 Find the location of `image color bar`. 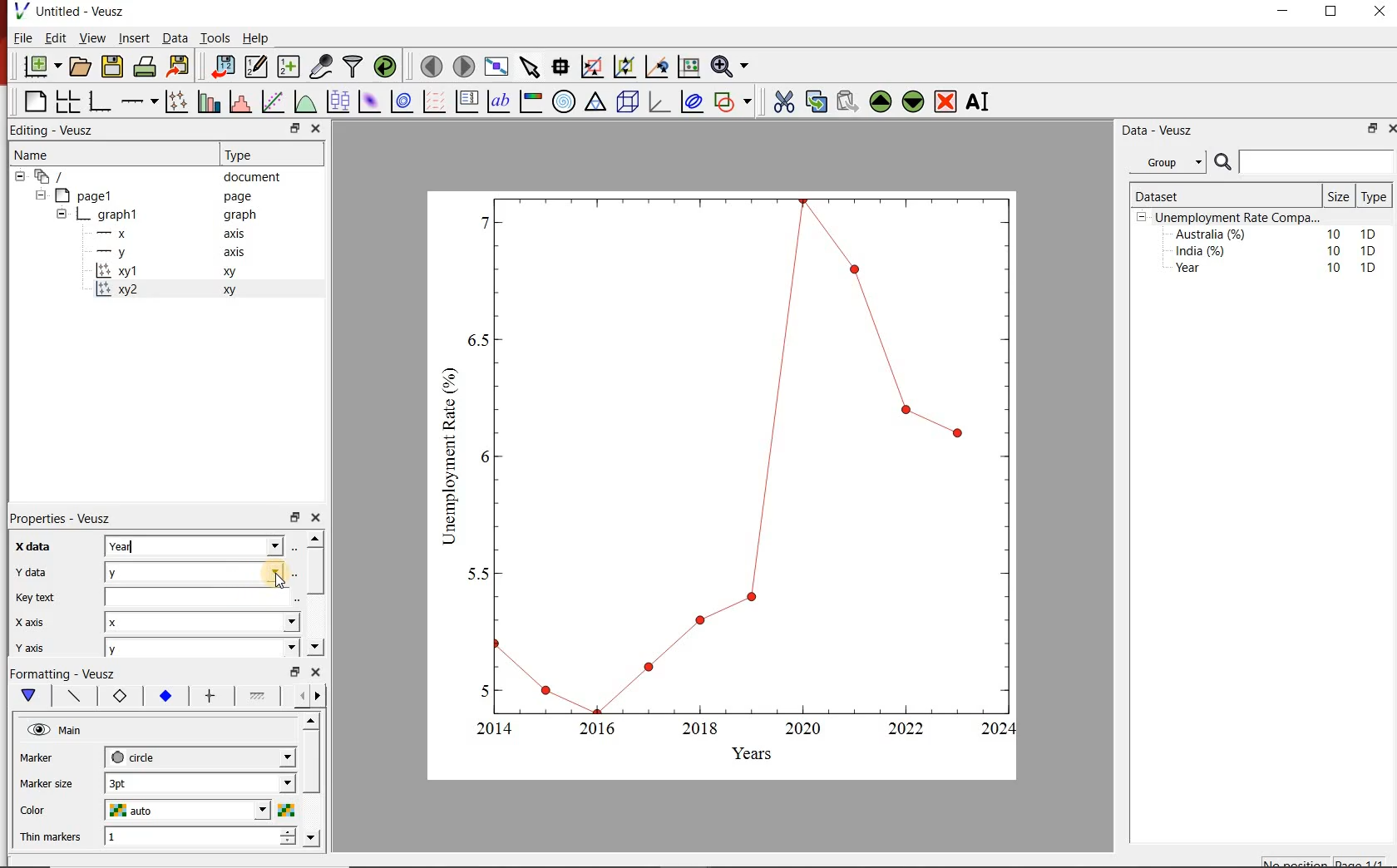

image color bar is located at coordinates (531, 102).